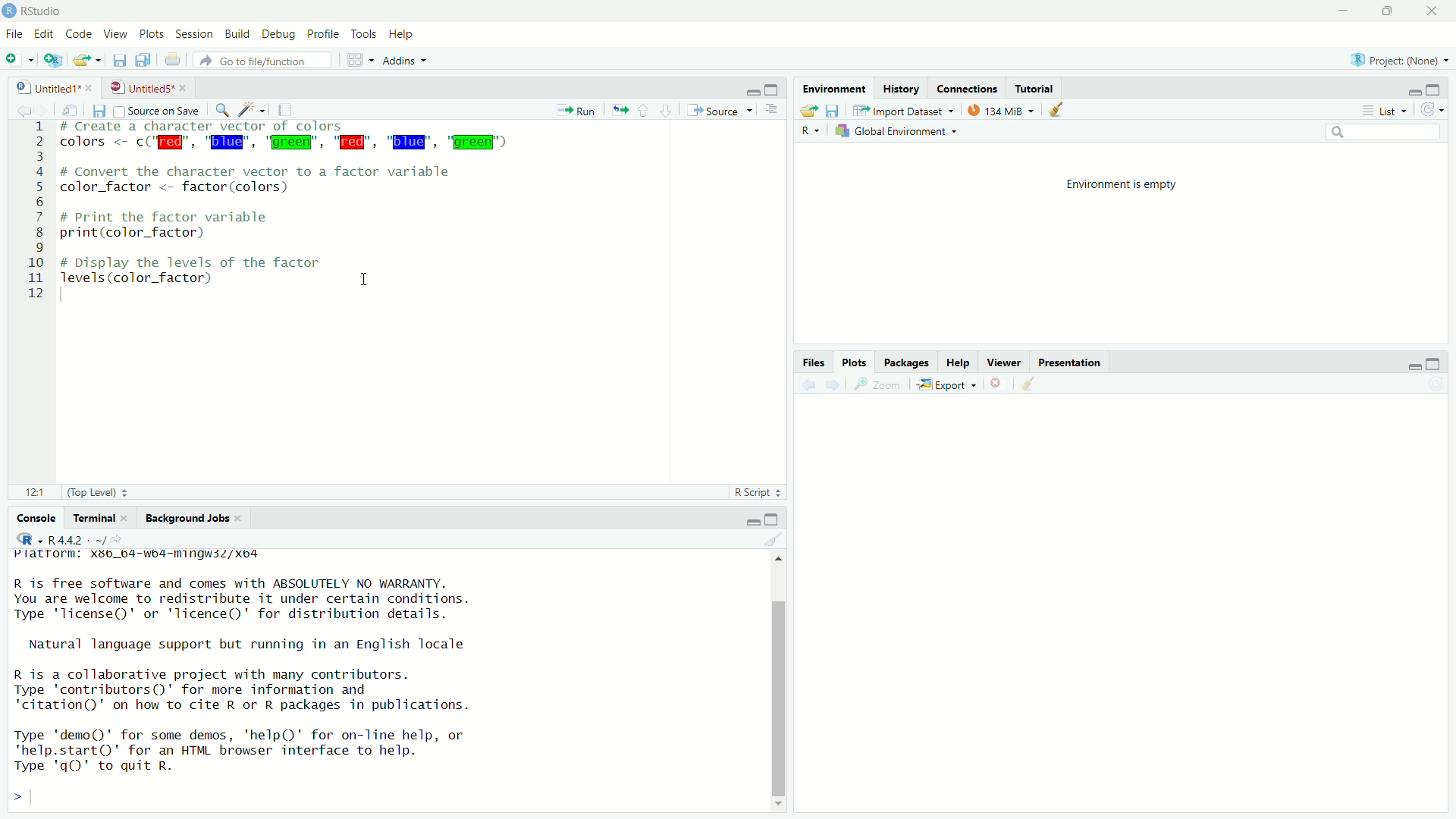 The height and width of the screenshot is (819, 1456). Describe the element at coordinates (1345, 9) in the screenshot. I see `minimize` at that location.